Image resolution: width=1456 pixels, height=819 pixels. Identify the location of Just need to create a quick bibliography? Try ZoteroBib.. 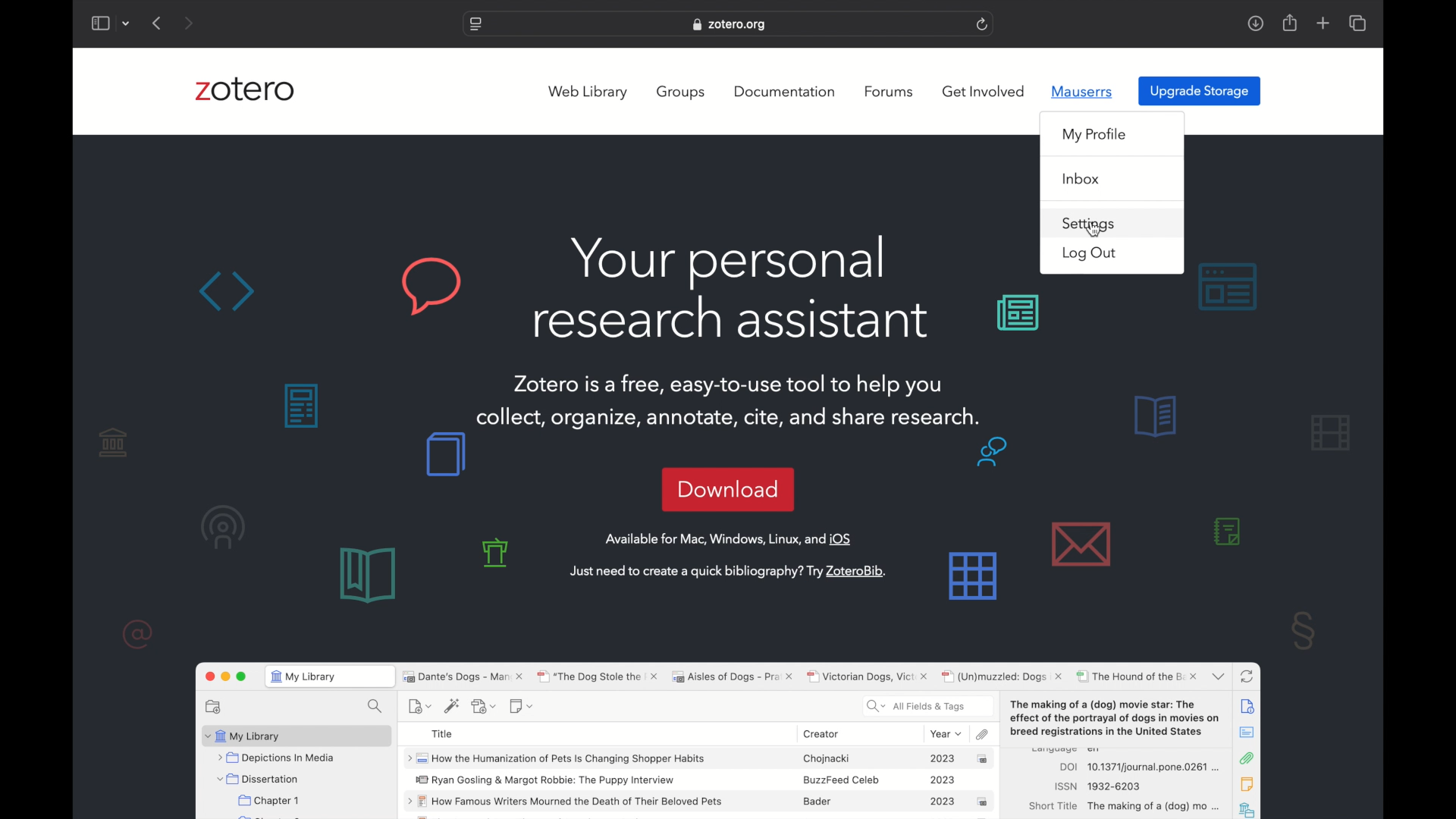
(734, 577).